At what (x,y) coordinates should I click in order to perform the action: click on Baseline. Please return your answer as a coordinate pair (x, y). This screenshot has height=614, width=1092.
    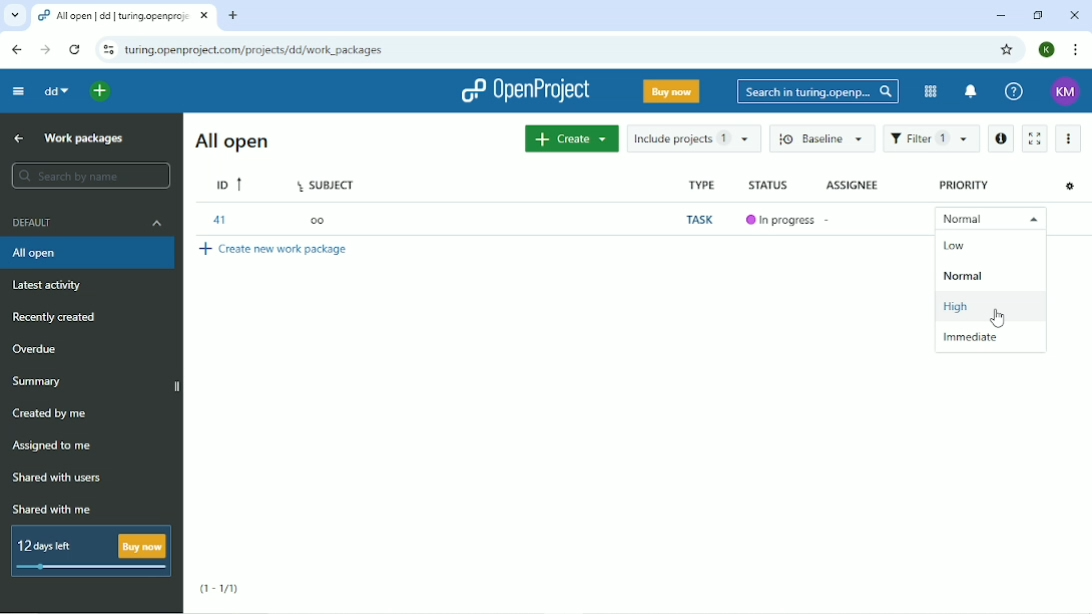
    Looking at the image, I should click on (820, 139).